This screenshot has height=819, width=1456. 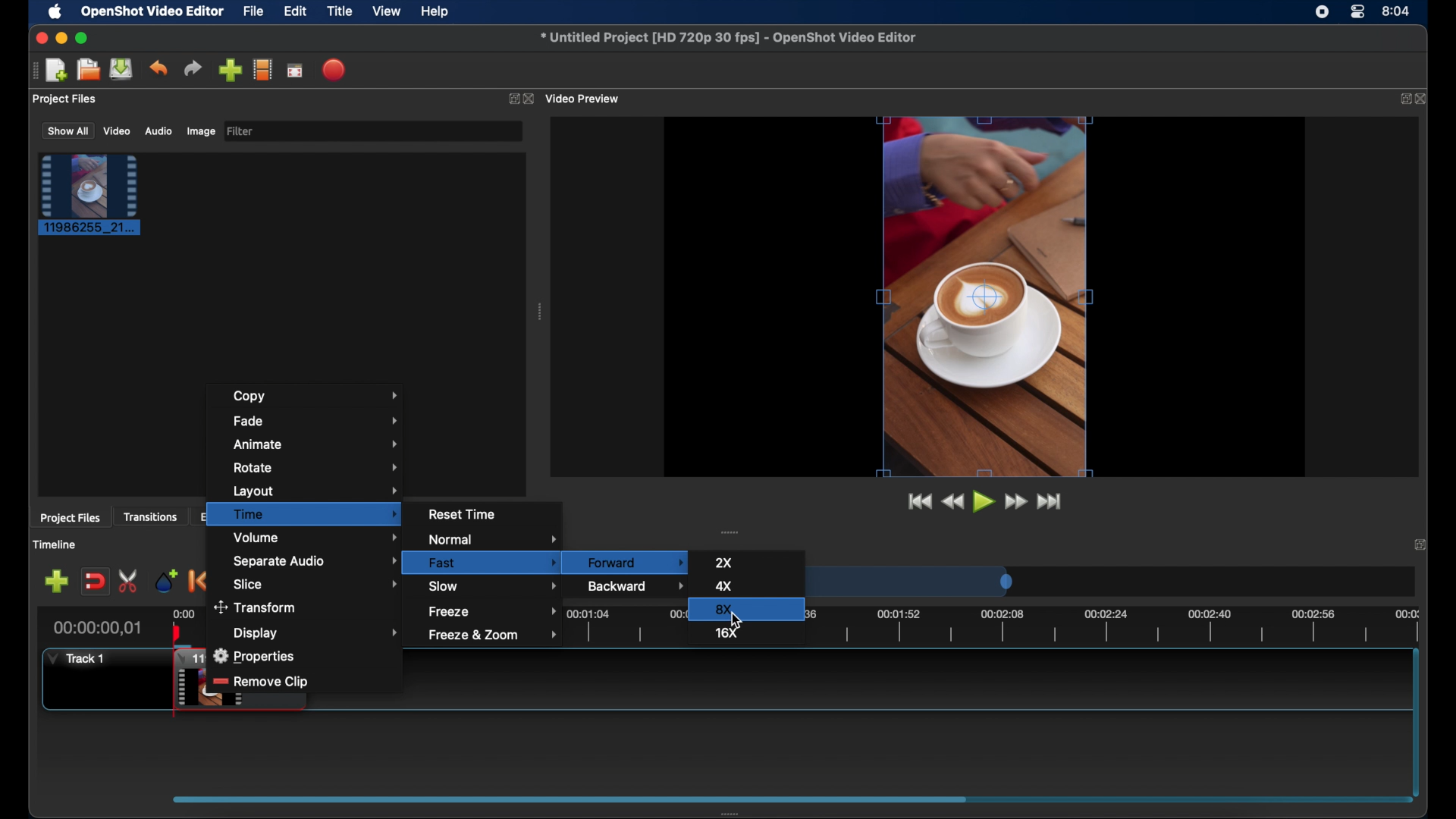 What do you see at coordinates (494, 635) in the screenshot?
I see `freeze and zoom menu` at bounding box center [494, 635].